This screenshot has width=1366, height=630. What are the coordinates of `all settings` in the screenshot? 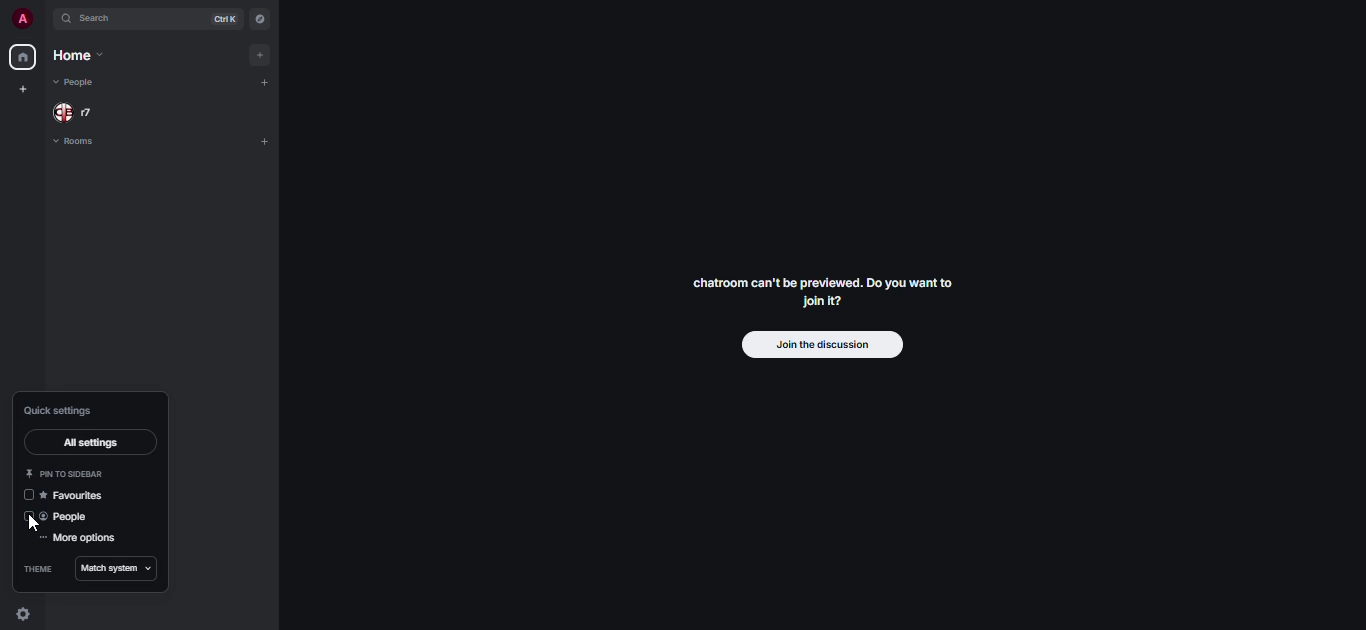 It's located at (88, 444).